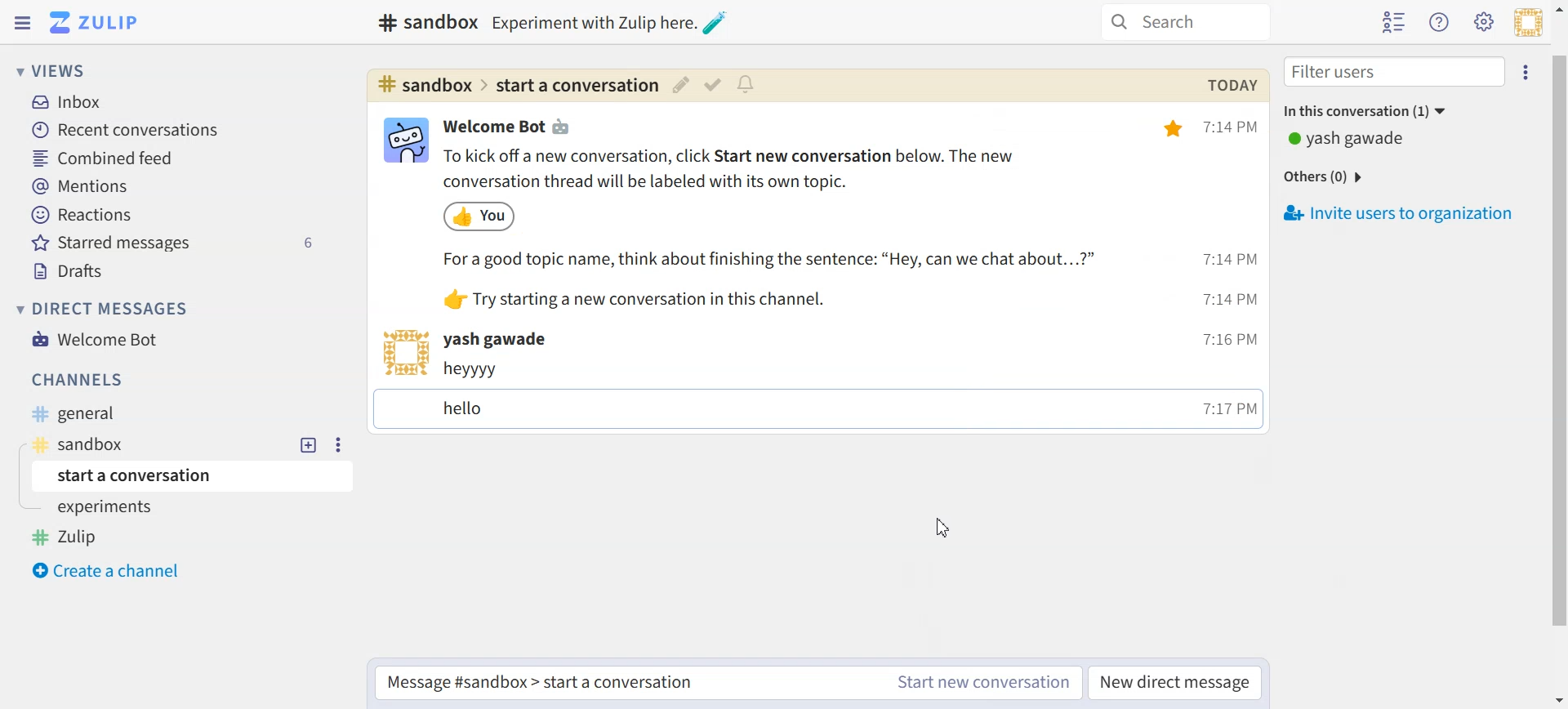 This screenshot has width=1568, height=709. Describe the element at coordinates (761, 168) in the screenshot. I see `Text` at that location.